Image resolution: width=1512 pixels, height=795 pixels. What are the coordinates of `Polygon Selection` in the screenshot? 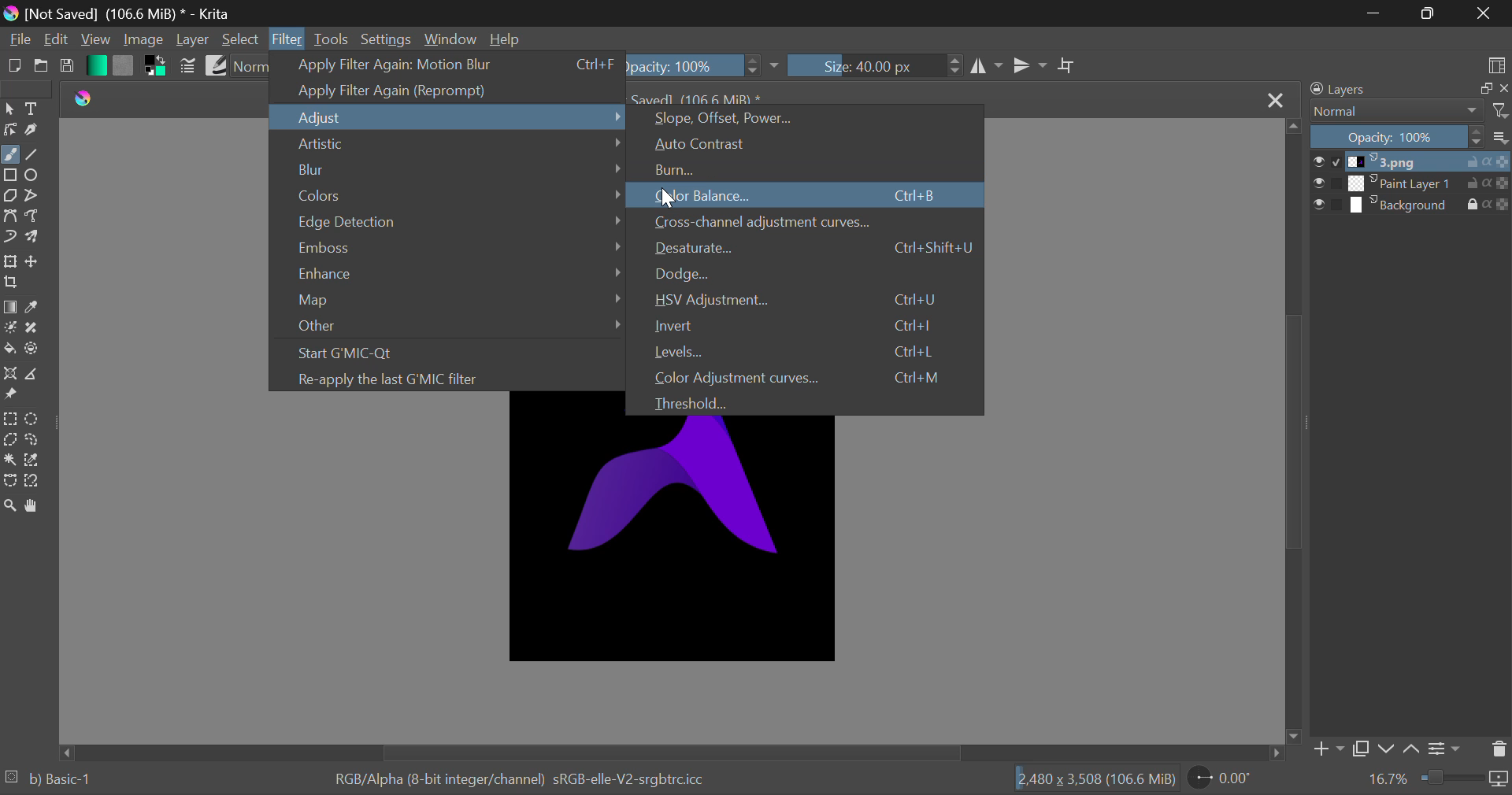 It's located at (10, 441).